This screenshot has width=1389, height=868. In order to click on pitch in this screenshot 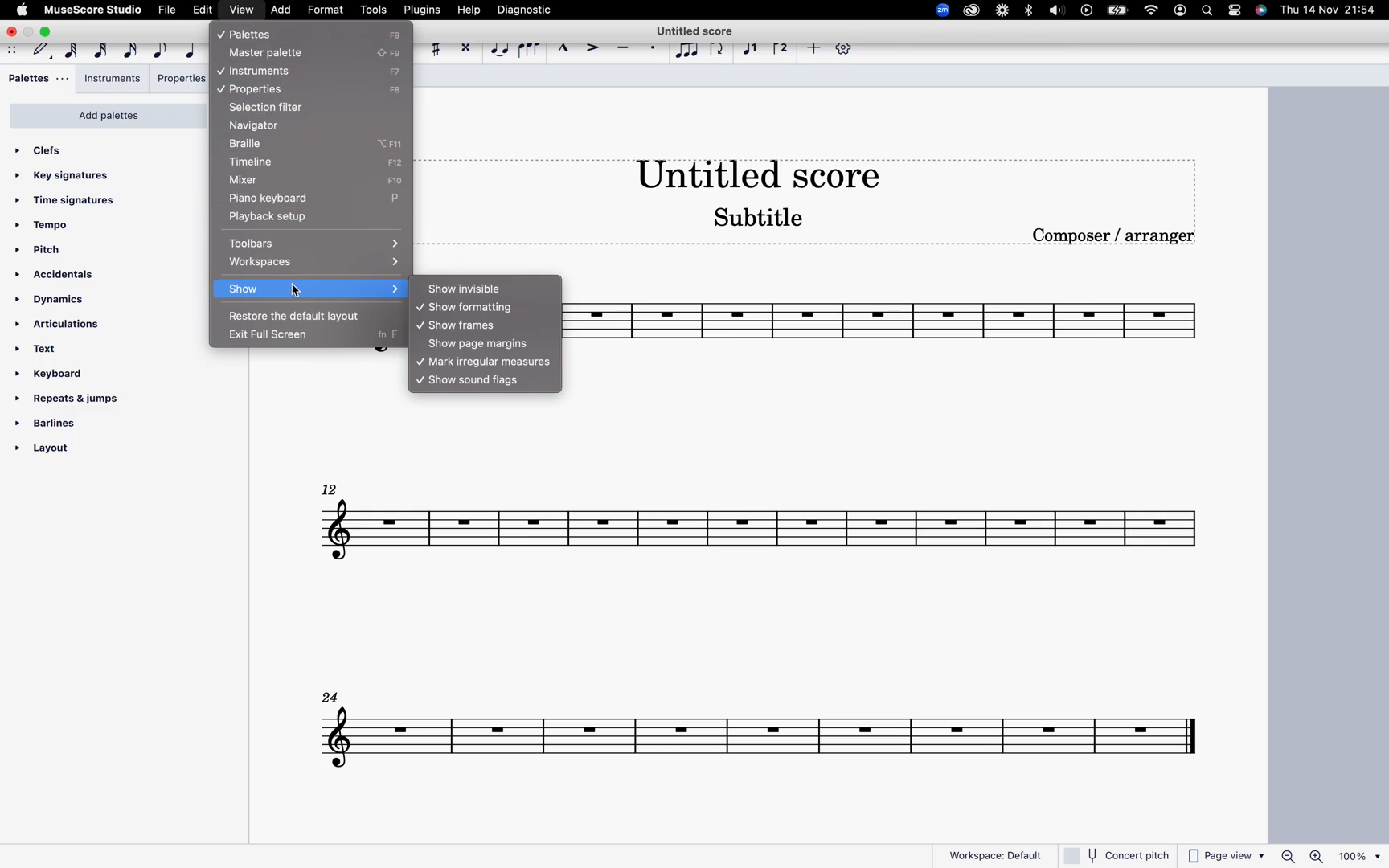, I will do `click(51, 251)`.